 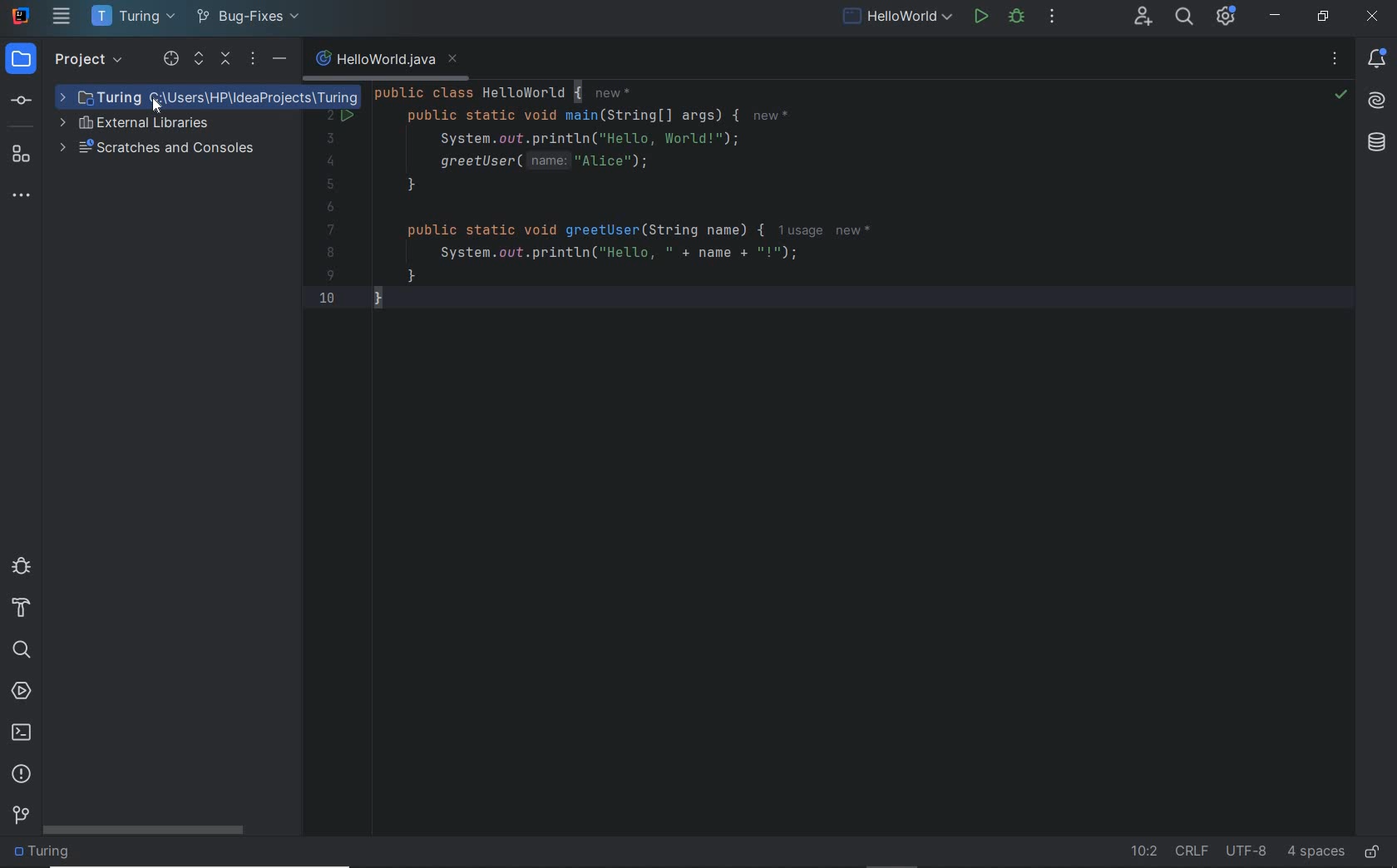 What do you see at coordinates (63, 16) in the screenshot?
I see `main menu` at bounding box center [63, 16].